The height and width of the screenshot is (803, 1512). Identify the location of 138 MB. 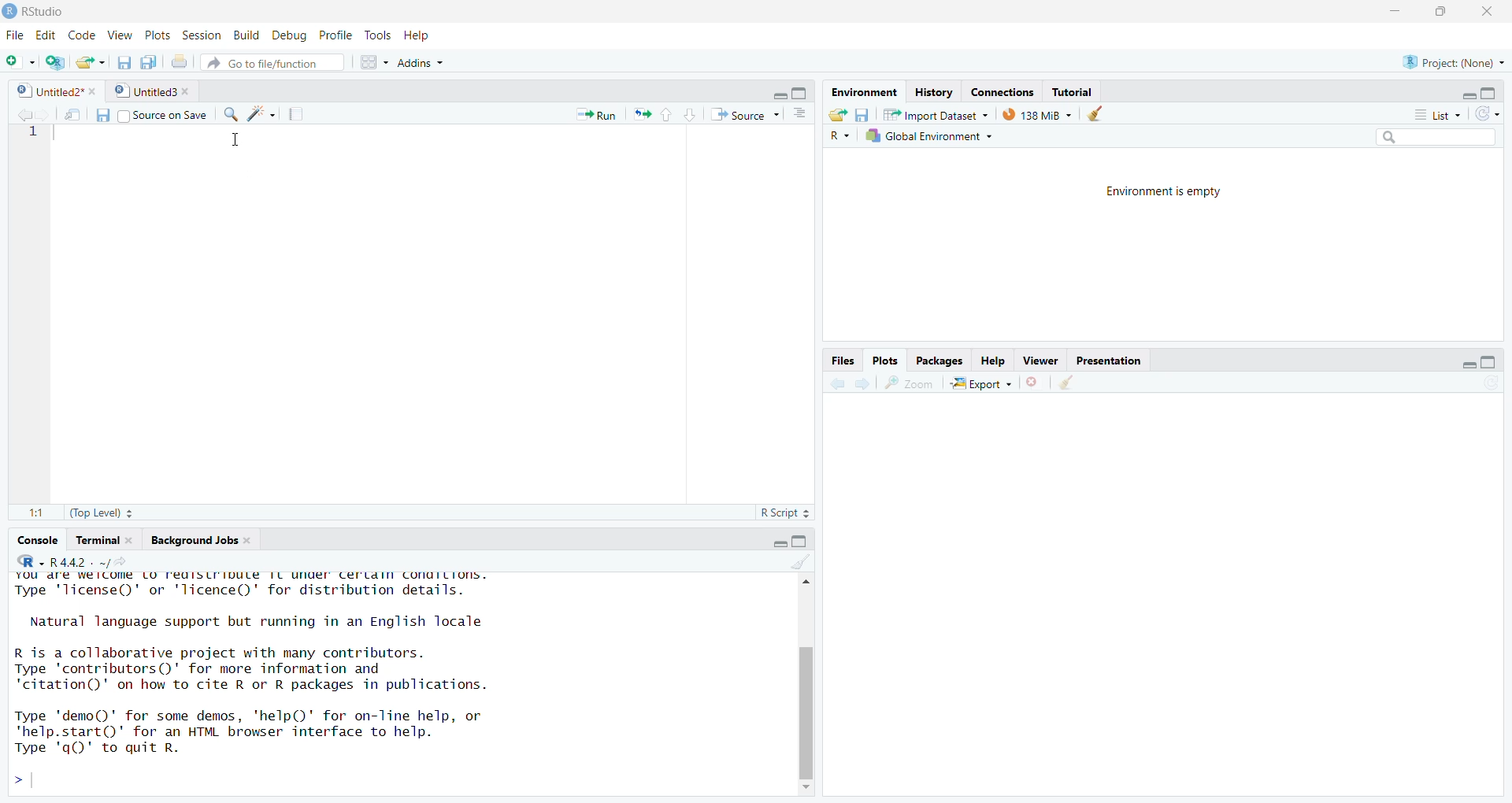
(1034, 113).